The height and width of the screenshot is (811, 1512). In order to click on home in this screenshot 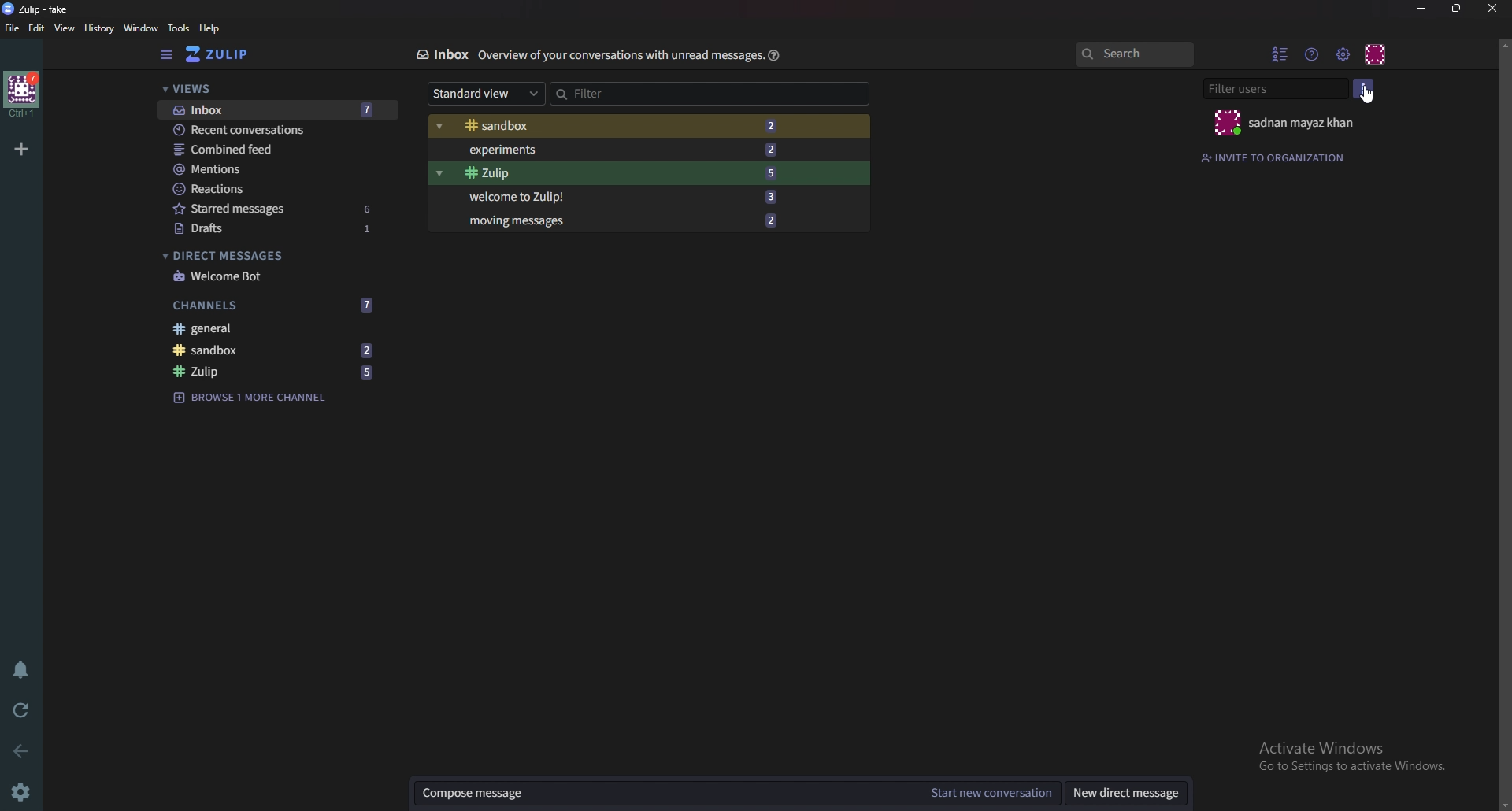, I will do `click(22, 94)`.